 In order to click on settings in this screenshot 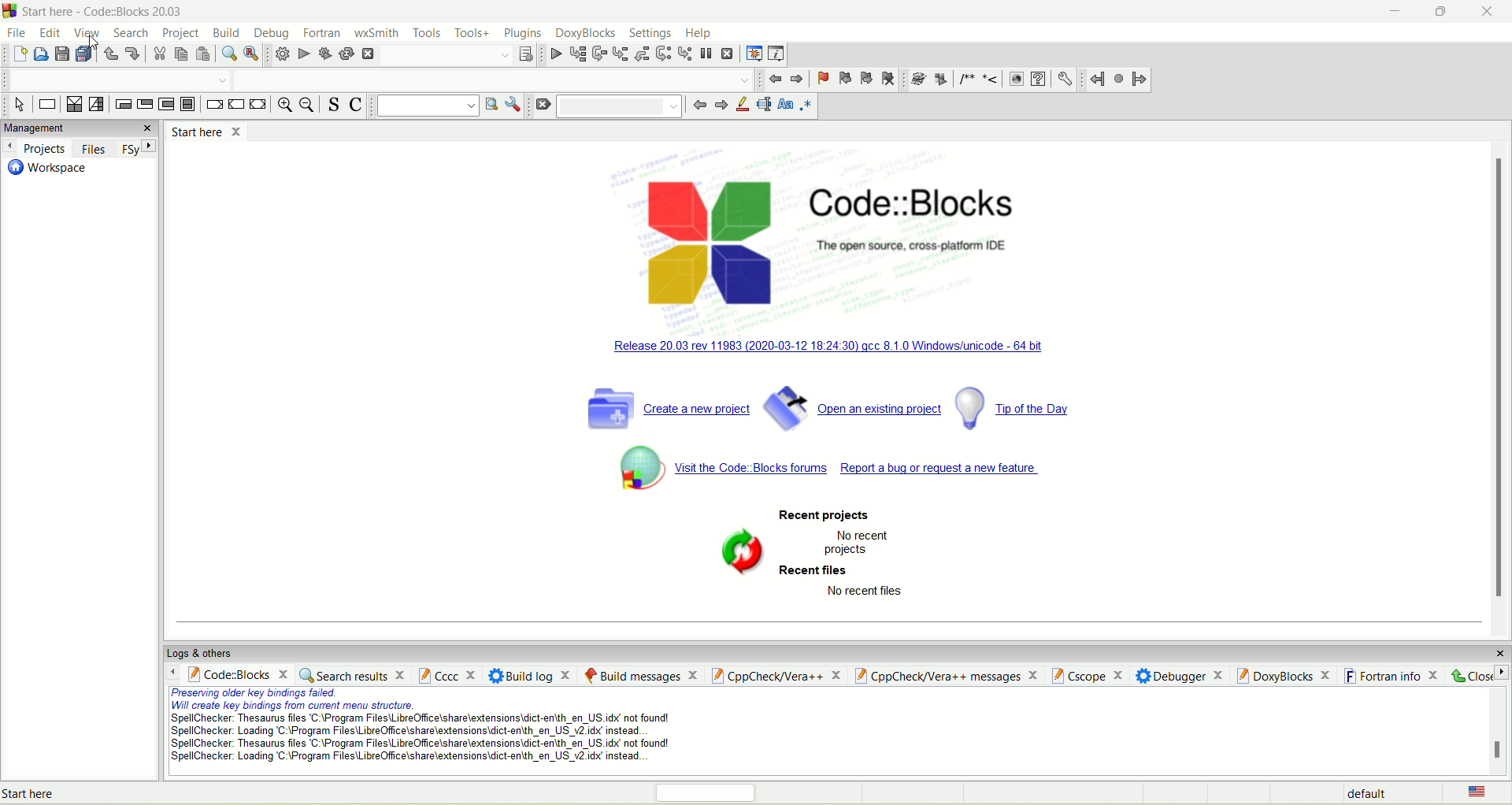, I will do `click(1065, 80)`.